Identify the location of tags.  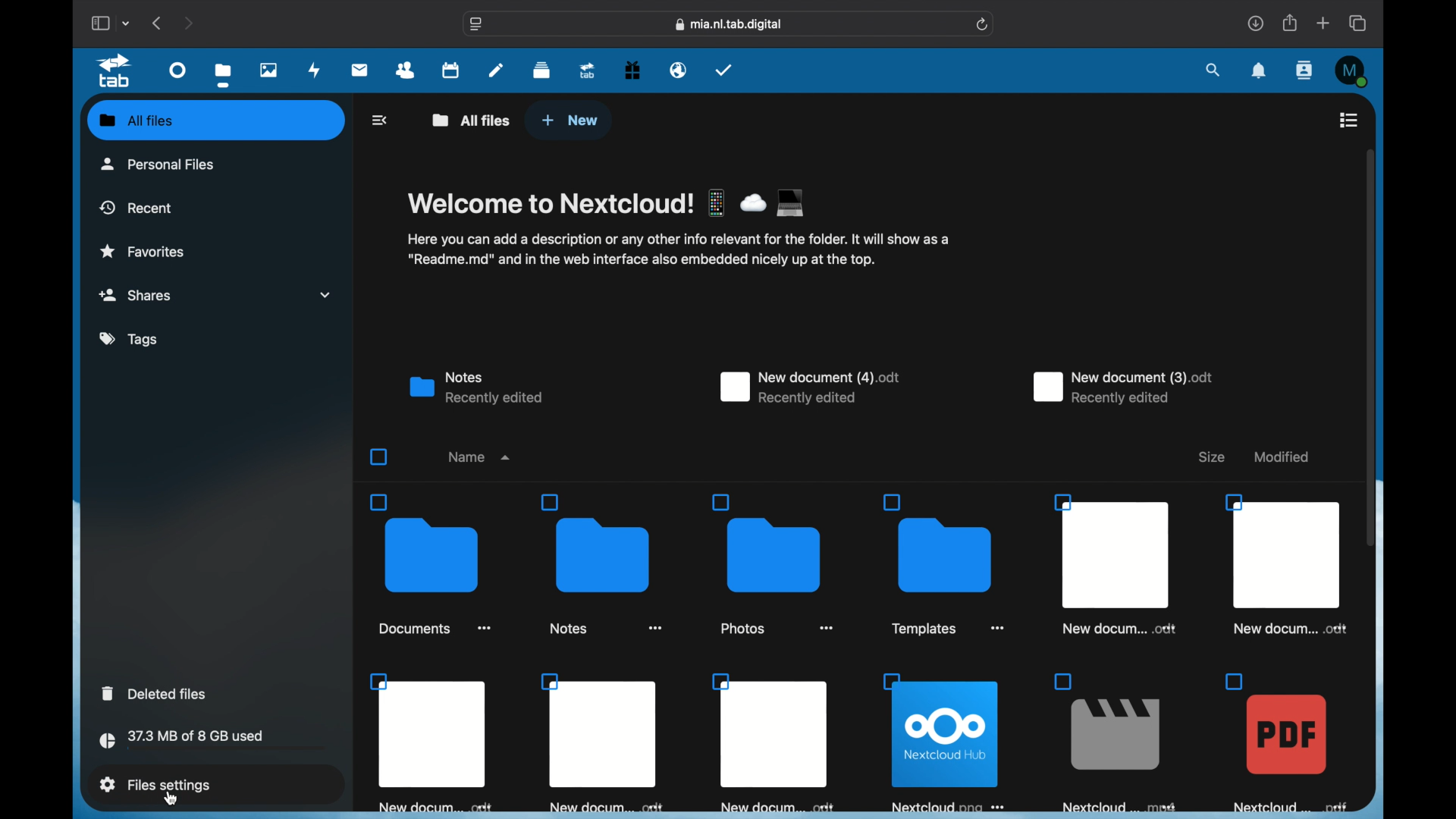
(131, 340).